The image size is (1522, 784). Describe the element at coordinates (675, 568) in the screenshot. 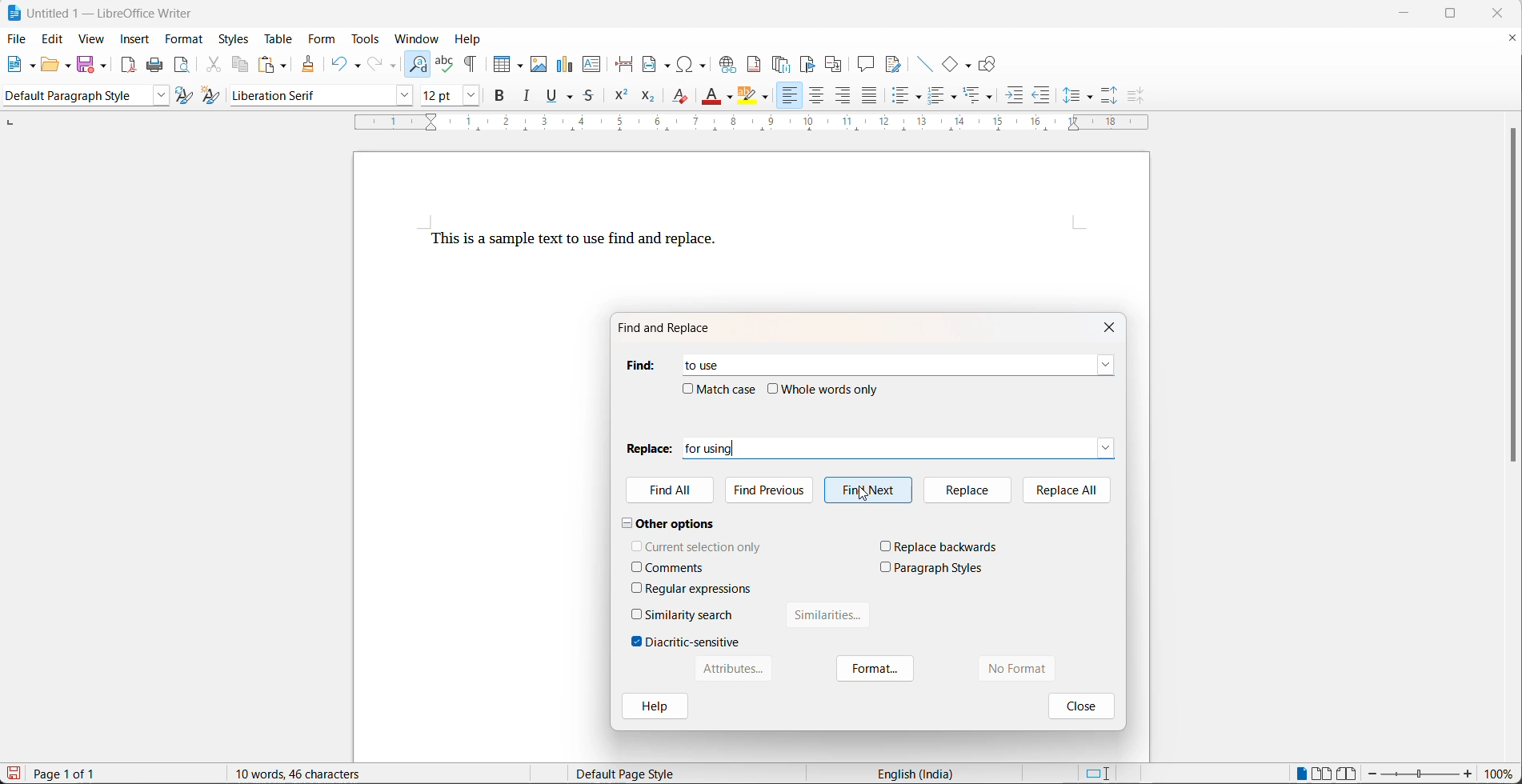

I see `comments` at that location.